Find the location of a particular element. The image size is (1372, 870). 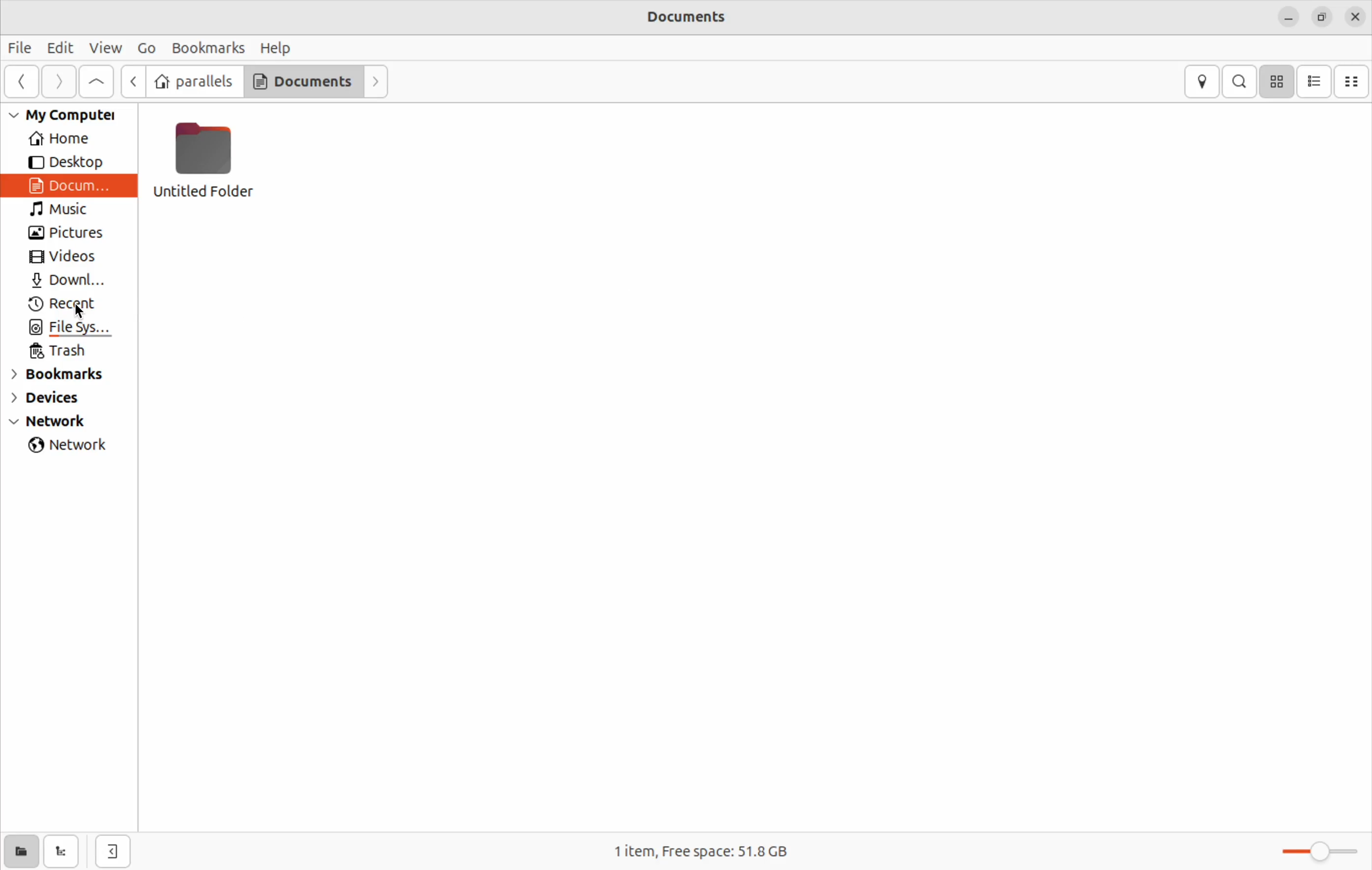

cursor is located at coordinates (83, 312).